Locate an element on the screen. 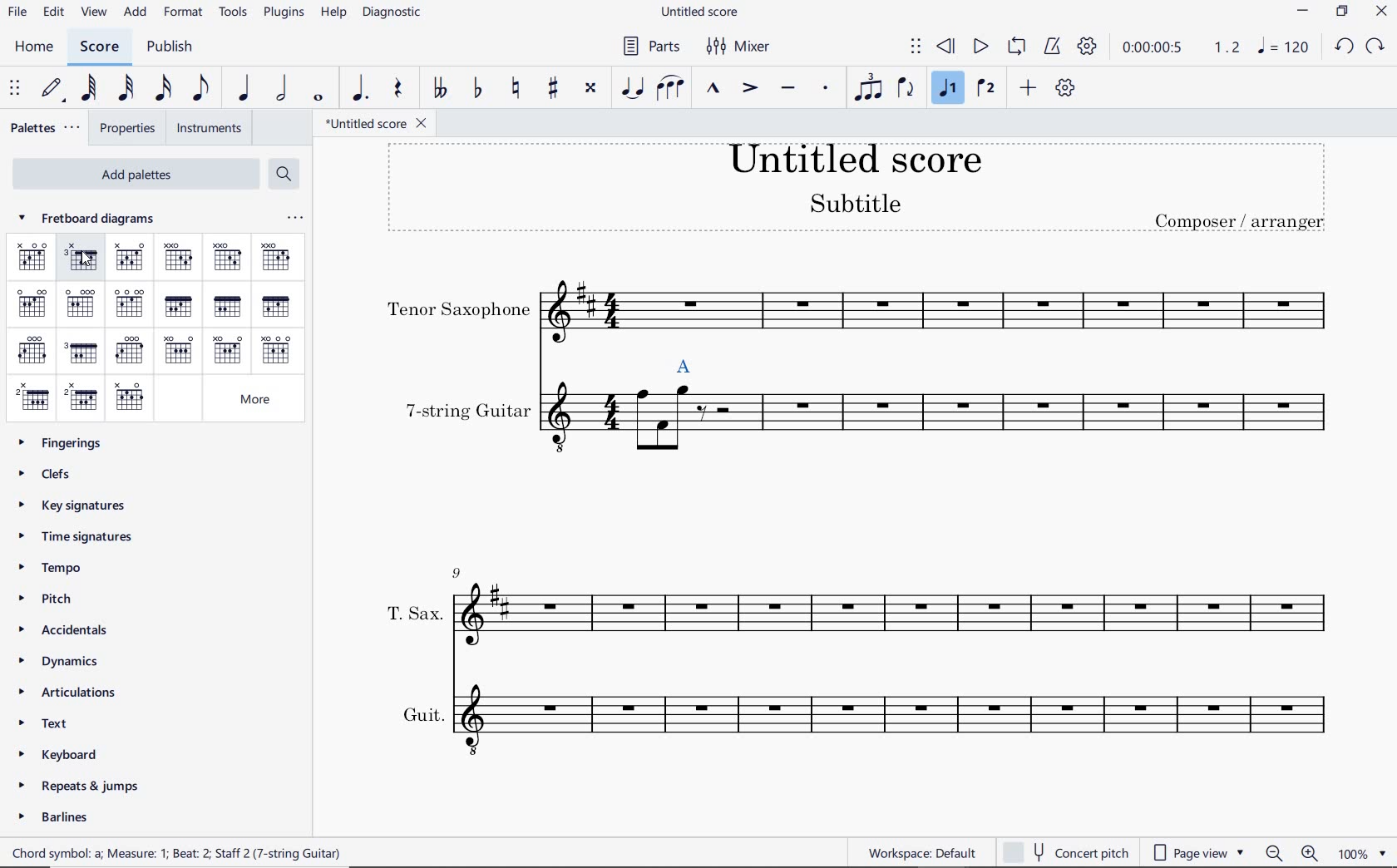 Image resolution: width=1397 pixels, height=868 pixels. PLAYBACK SETTINGS is located at coordinates (1090, 47).